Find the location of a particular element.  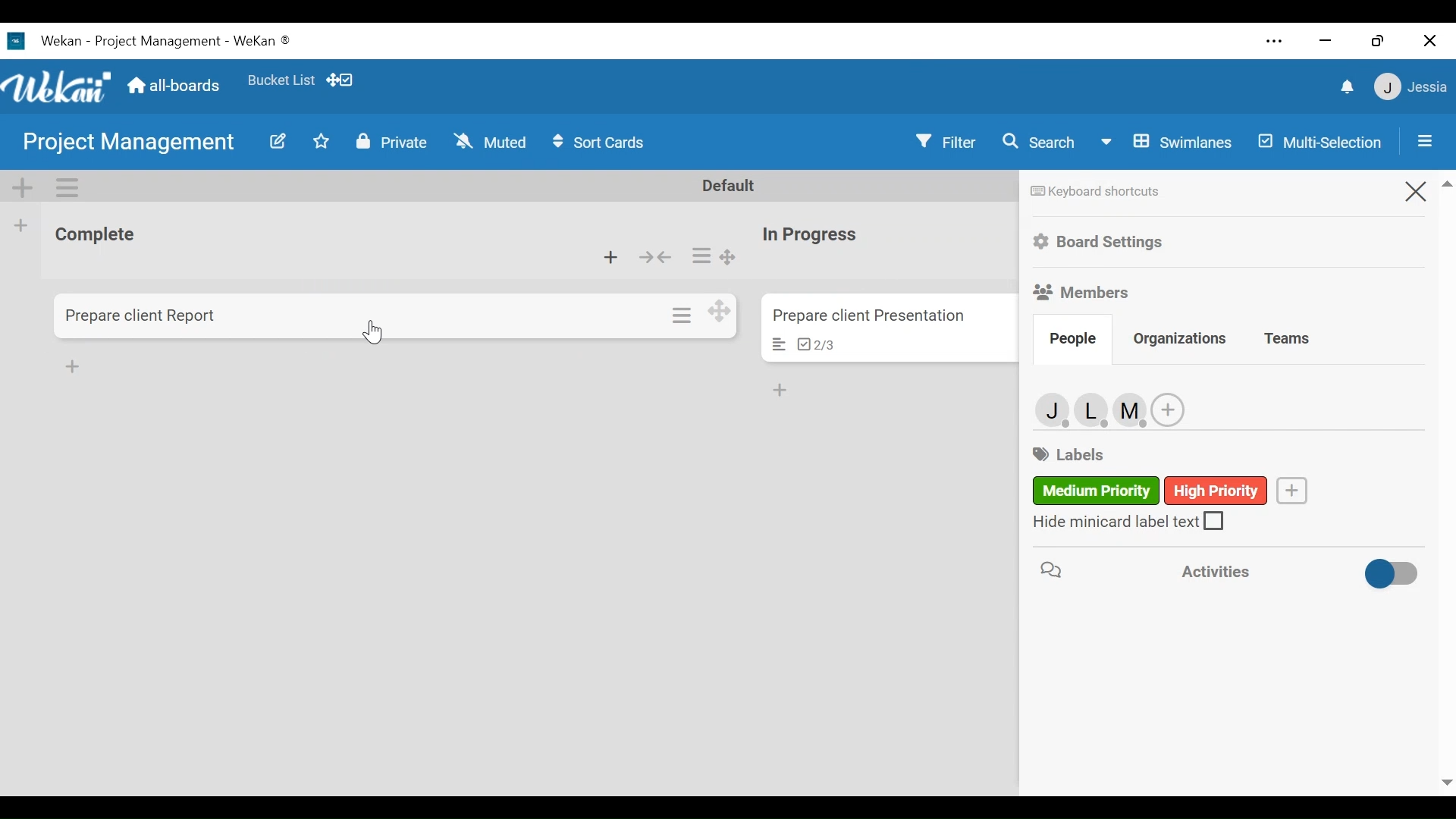

Board Settings is located at coordinates (1099, 243).